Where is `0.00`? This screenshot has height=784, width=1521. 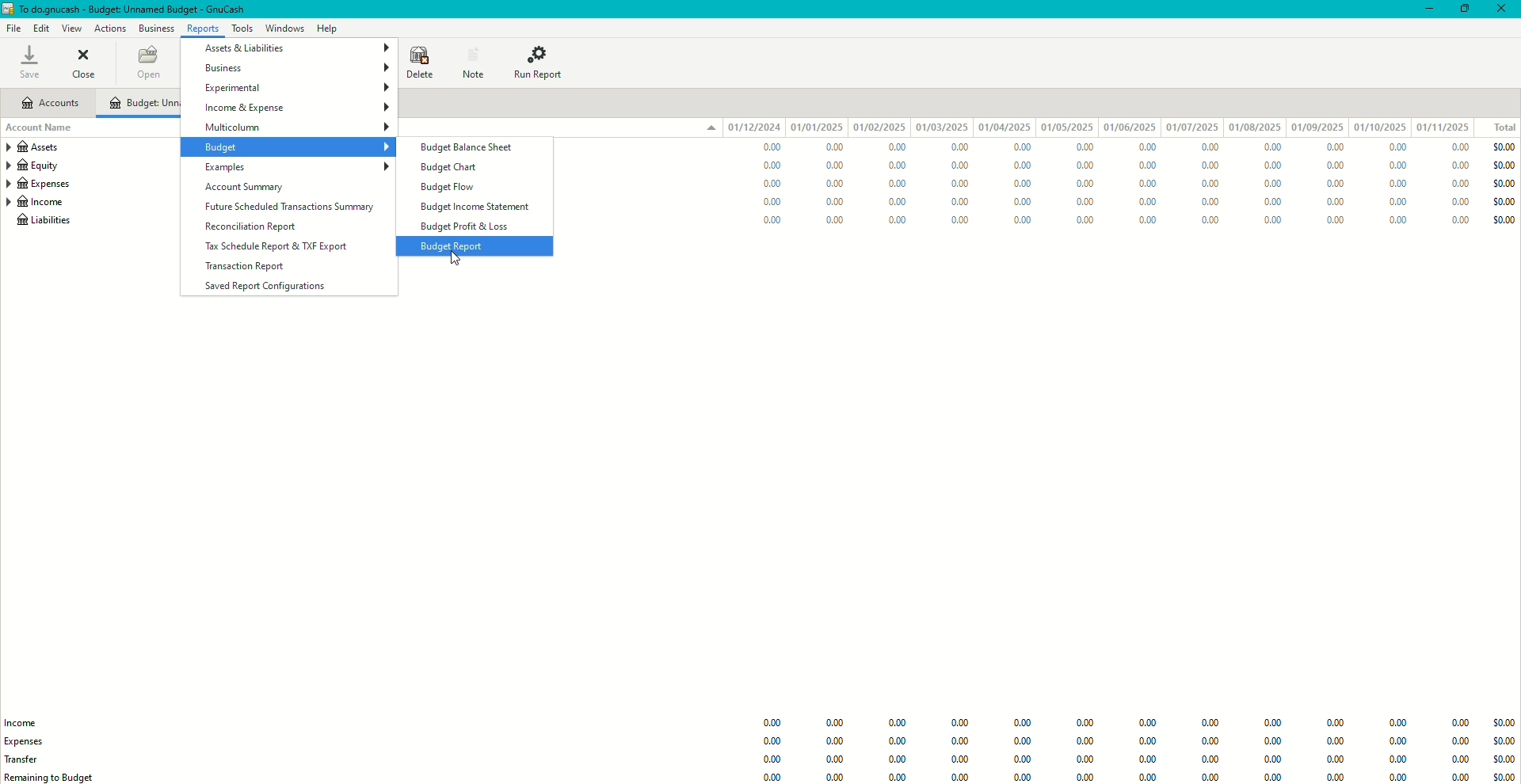 0.00 is located at coordinates (1397, 776).